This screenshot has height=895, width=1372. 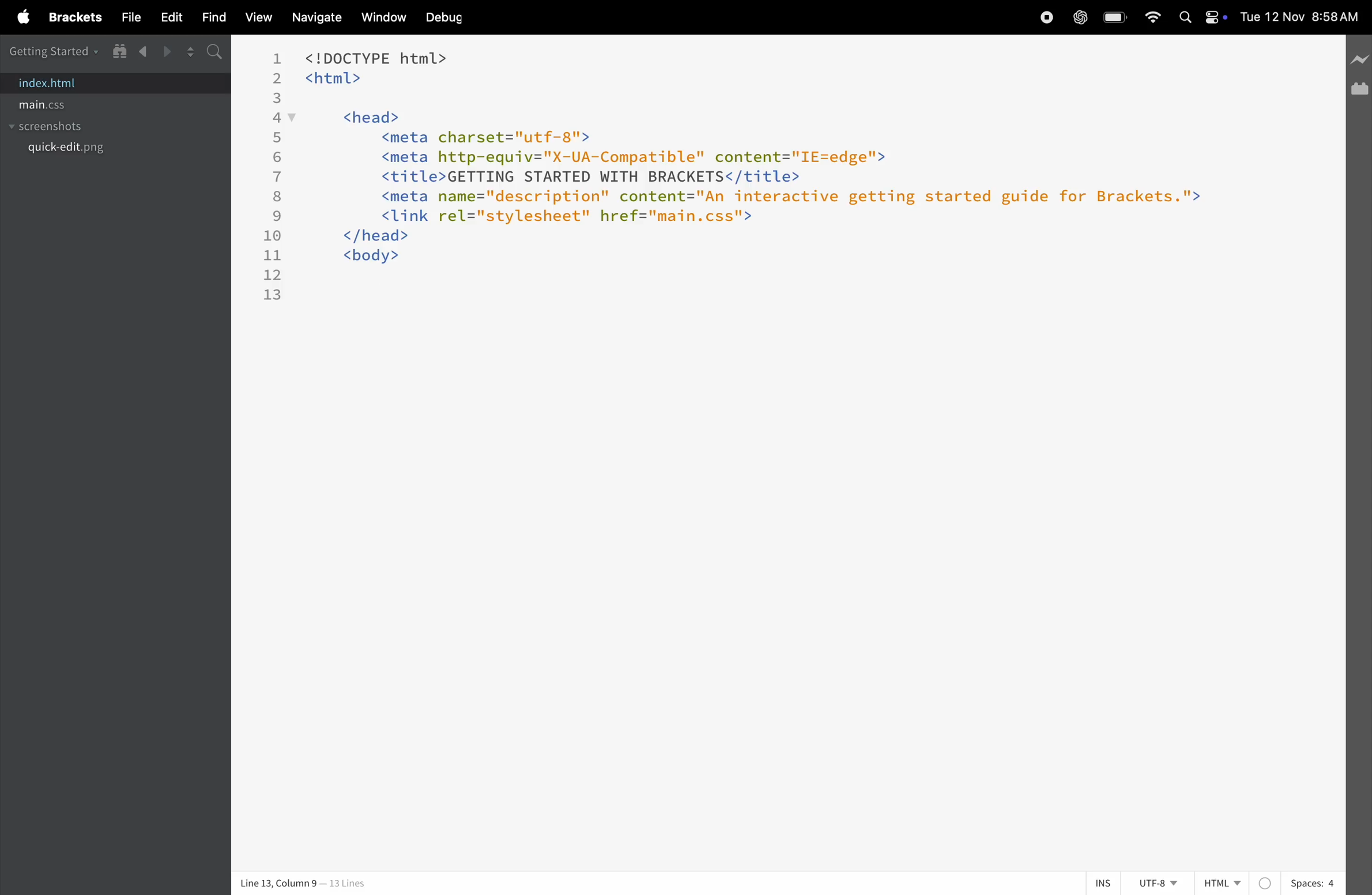 I want to click on edit, so click(x=169, y=18).